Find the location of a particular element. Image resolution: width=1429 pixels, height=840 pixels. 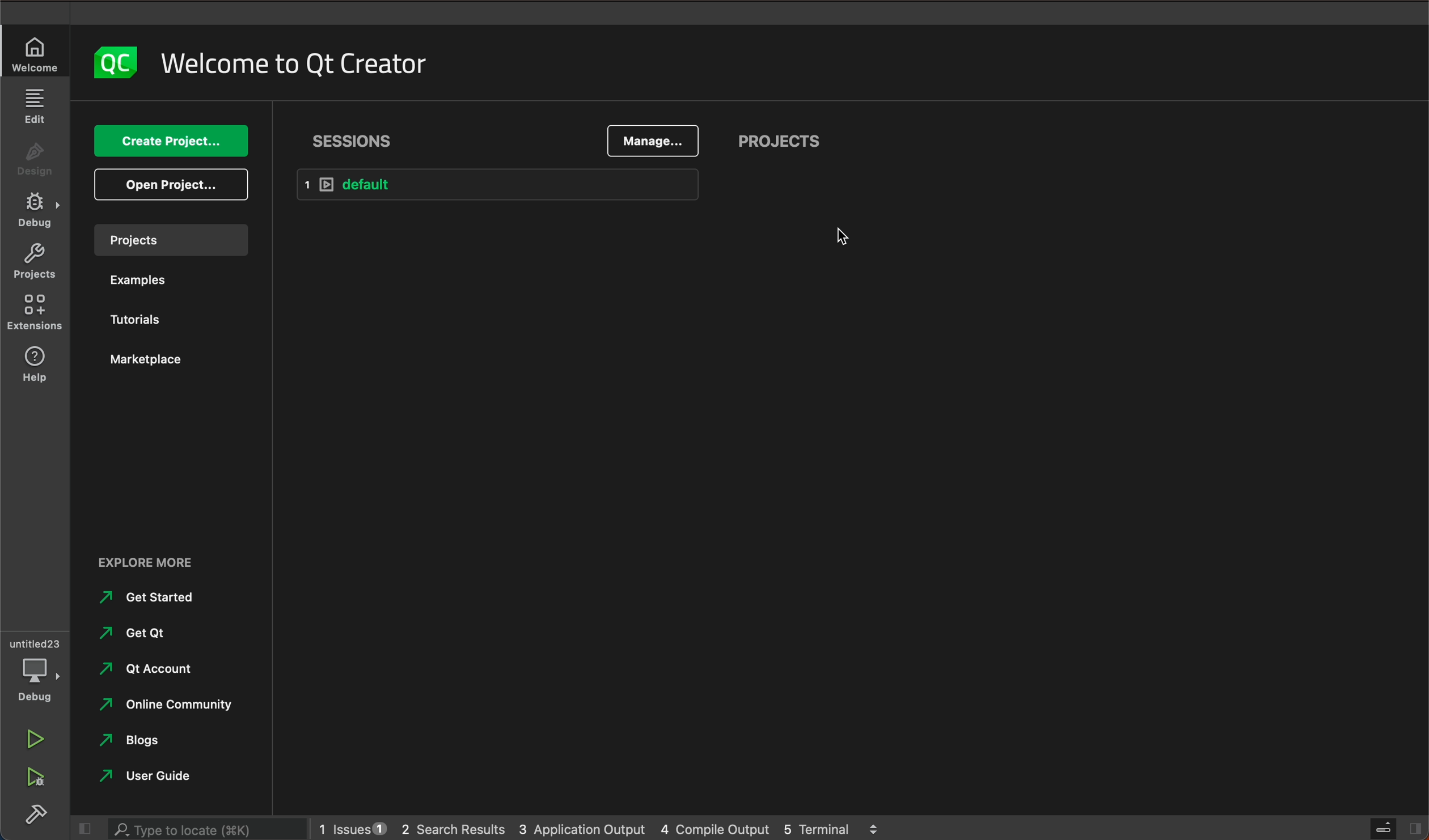

search bar is located at coordinates (209, 829).